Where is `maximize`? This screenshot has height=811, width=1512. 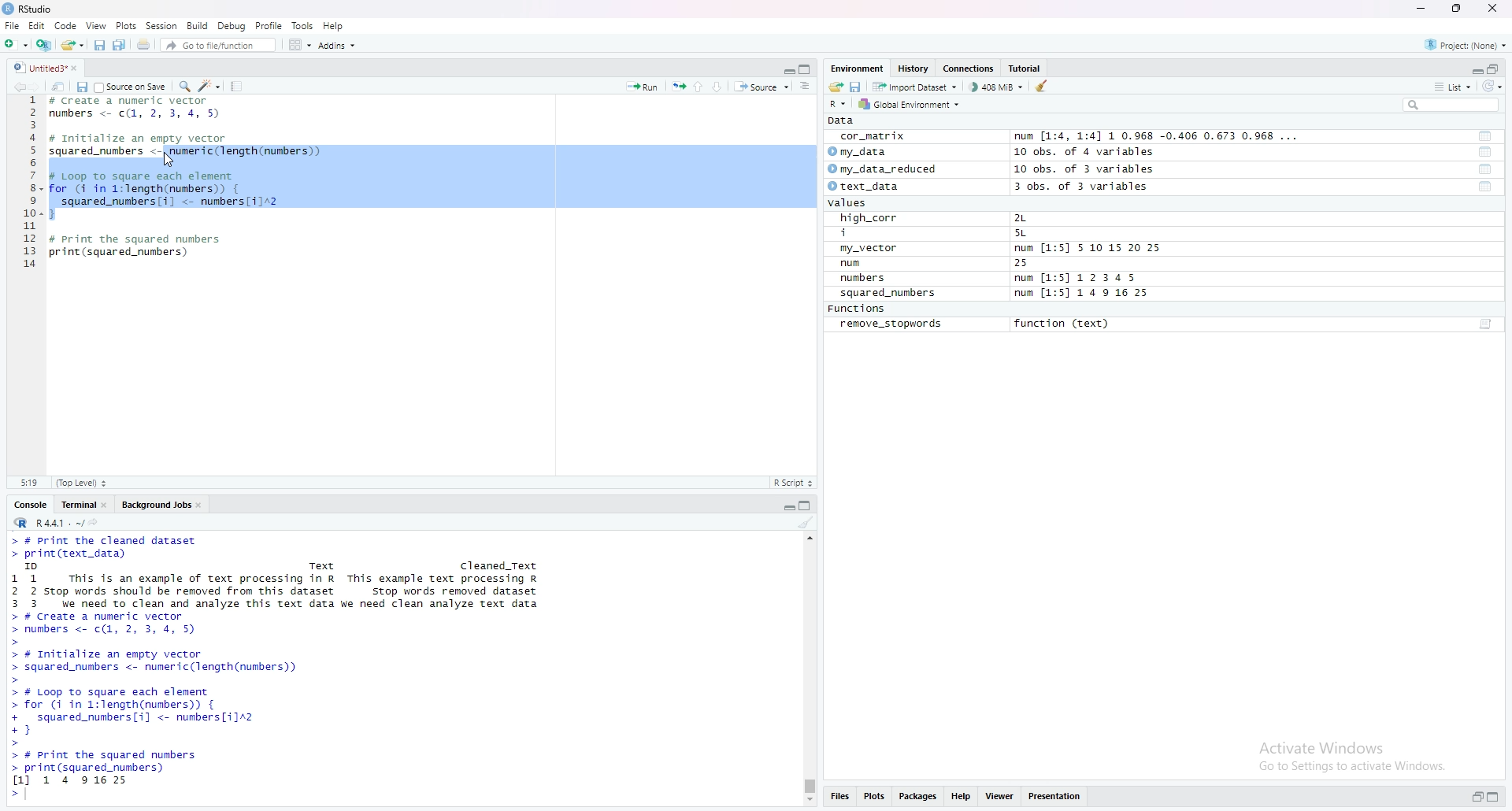 maximize is located at coordinates (1498, 798).